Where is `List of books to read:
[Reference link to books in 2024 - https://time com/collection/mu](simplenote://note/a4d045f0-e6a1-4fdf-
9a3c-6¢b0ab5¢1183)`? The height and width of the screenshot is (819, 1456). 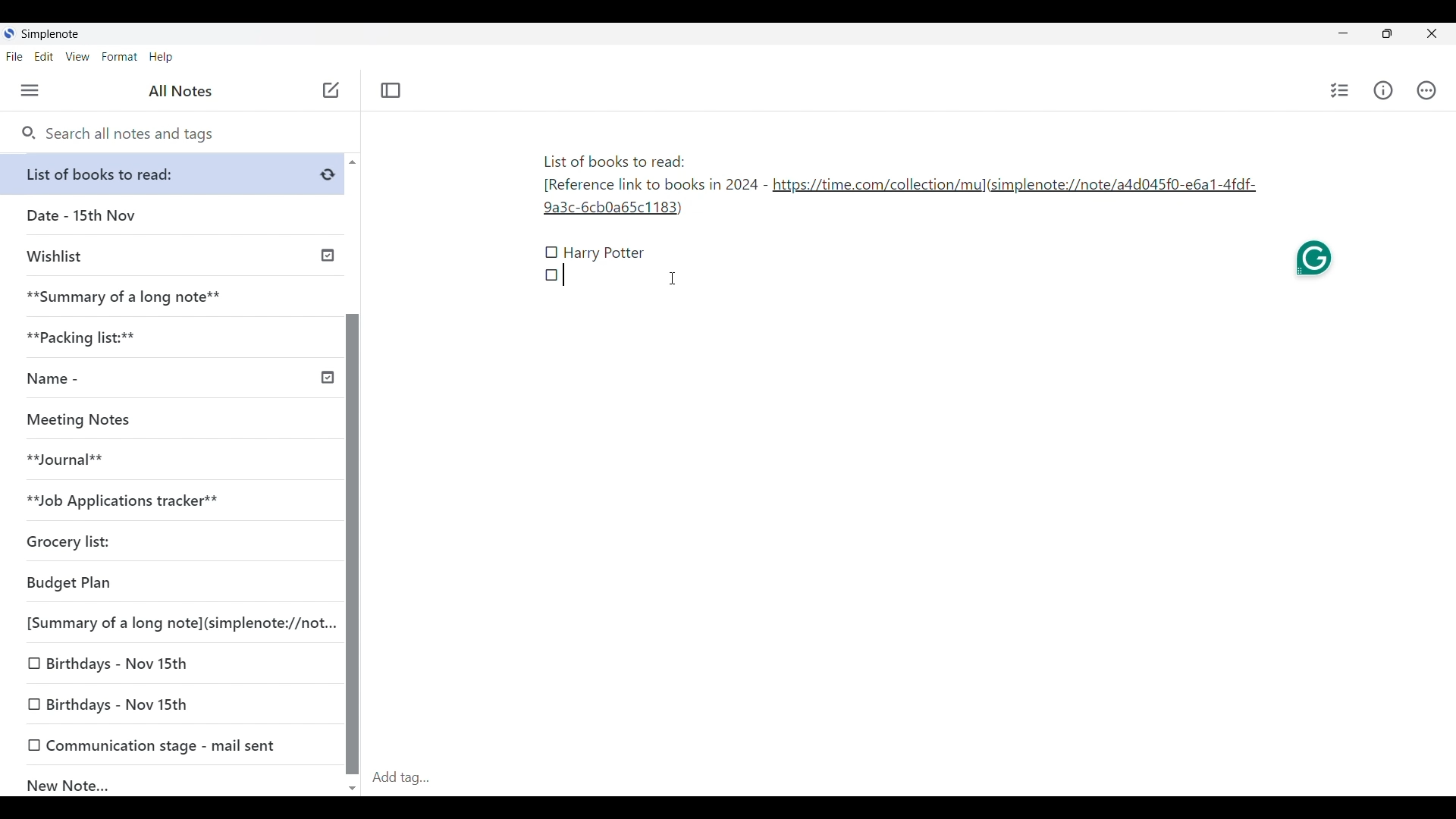
List of books to read:
[Reference link to books in 2024 - https://time com/collection/mu](simplenote://note/a4d045f0-e6a1-4fdf-
9a3c-6¢b0ab5¢1183) is located at coordinates (899, 186).